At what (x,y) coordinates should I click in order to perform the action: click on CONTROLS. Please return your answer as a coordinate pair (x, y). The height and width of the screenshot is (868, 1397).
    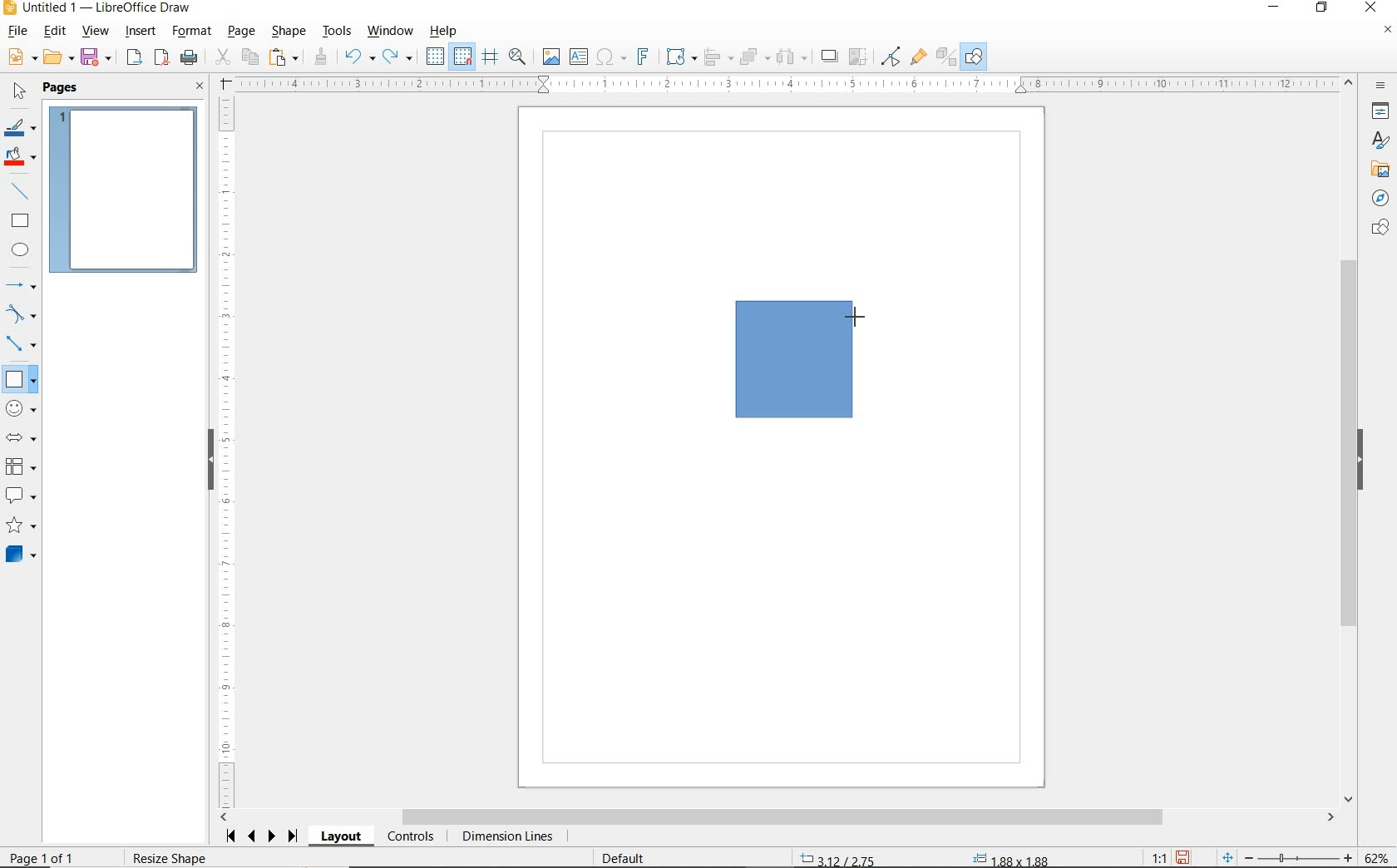
    Looking at the image, I should click on (410, 837).